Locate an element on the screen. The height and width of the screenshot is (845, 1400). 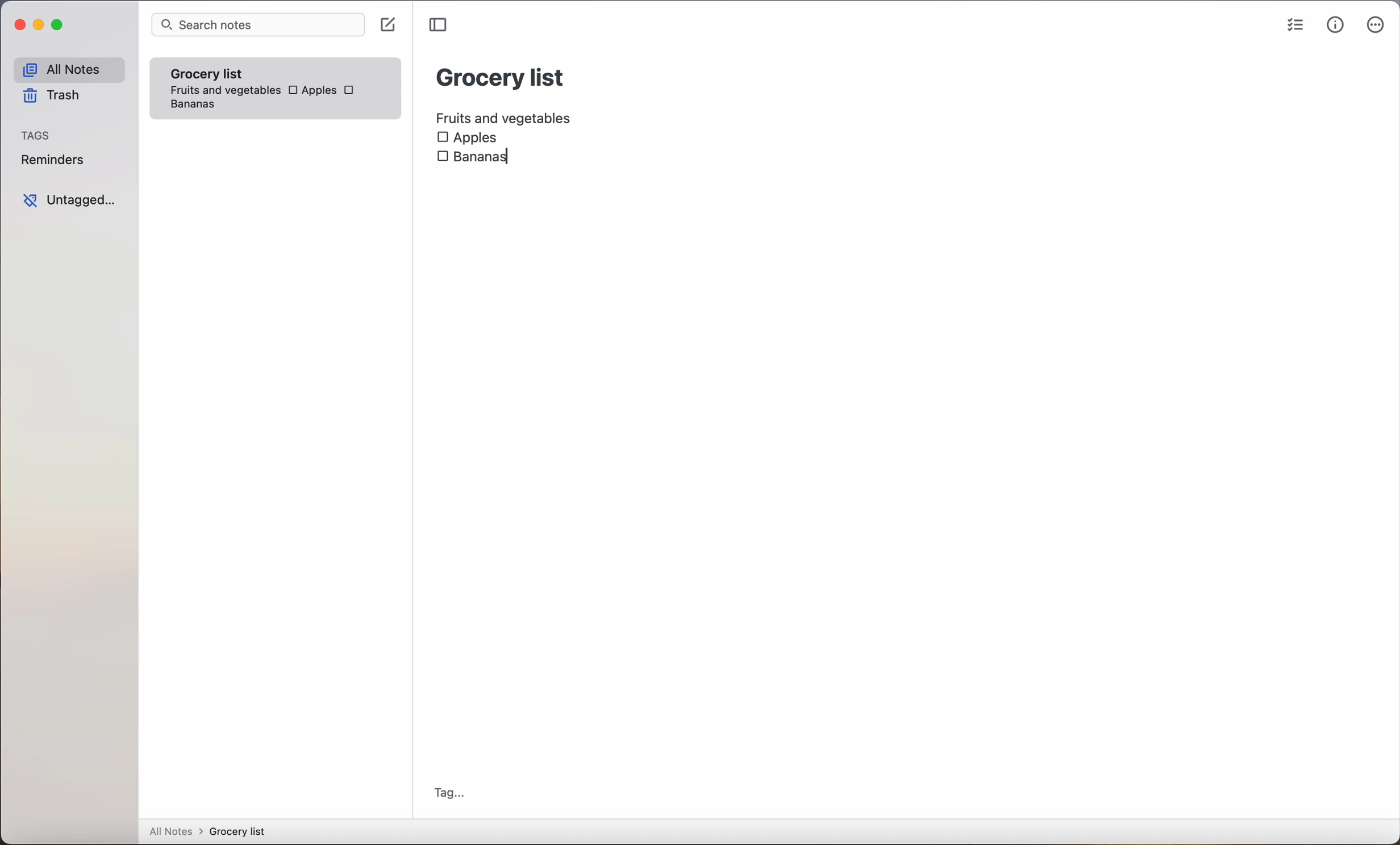
maximize Simplenote is located at coordinates (60, 26).